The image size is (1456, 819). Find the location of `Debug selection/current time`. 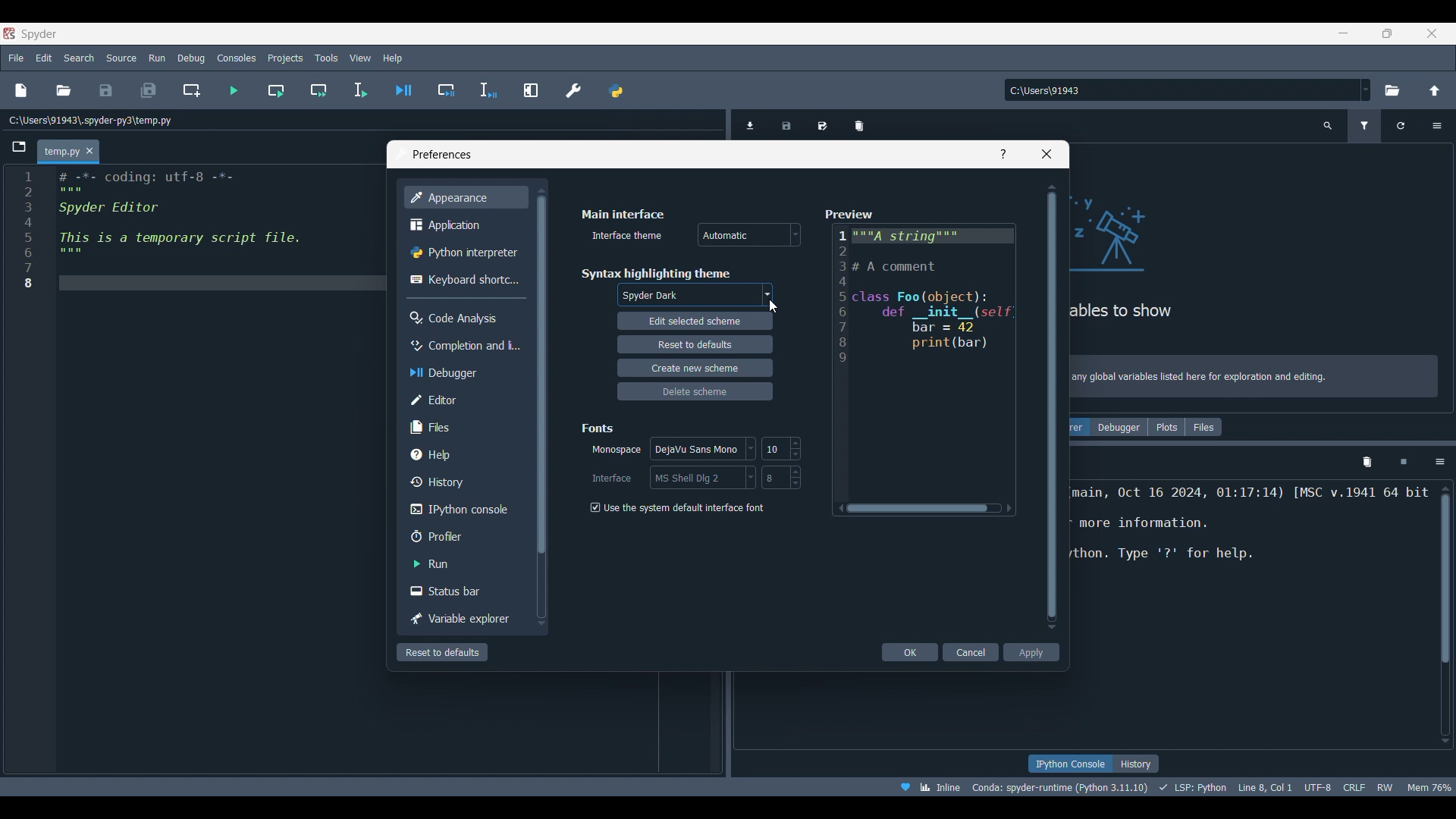

Debug selection/current time is located at coordinates (488, 90).